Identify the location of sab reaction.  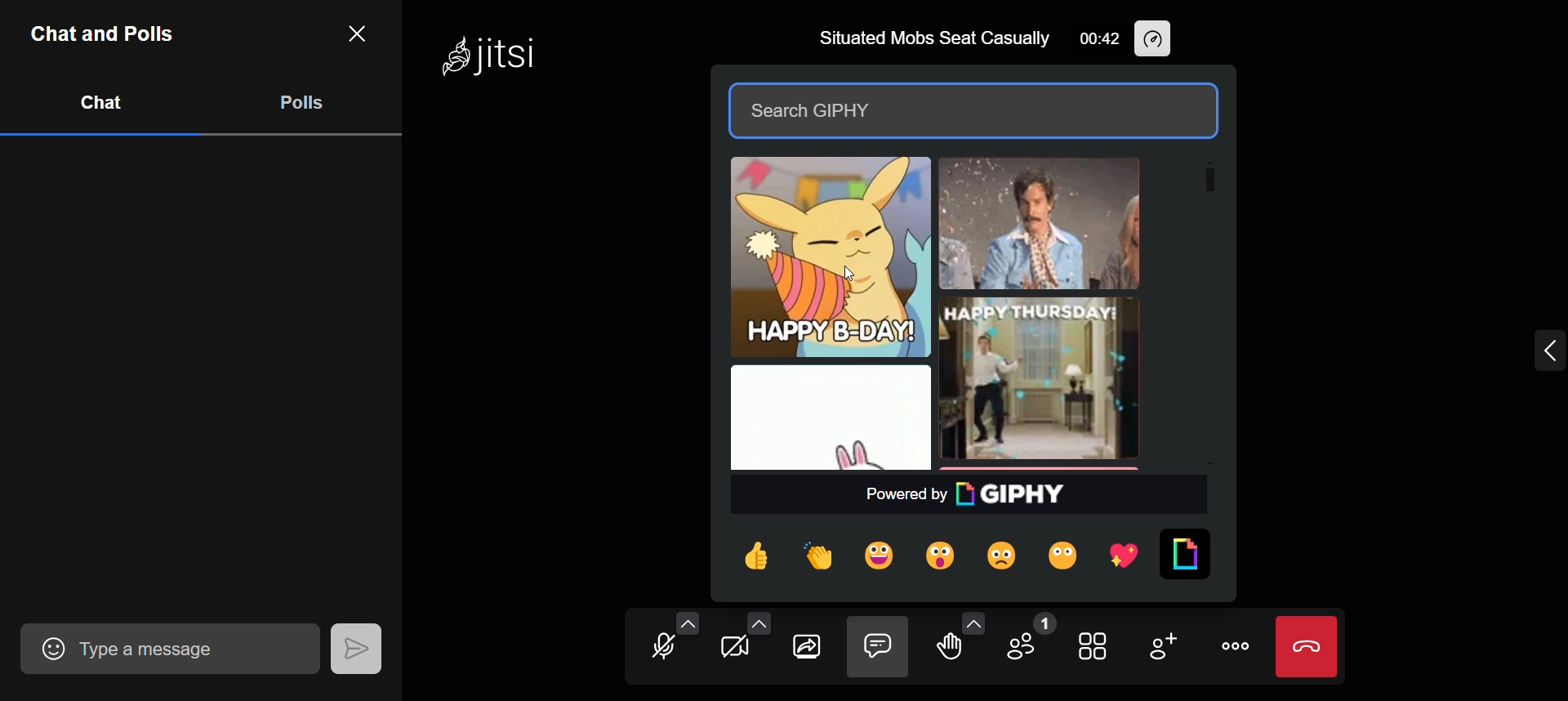
(1003, 557).